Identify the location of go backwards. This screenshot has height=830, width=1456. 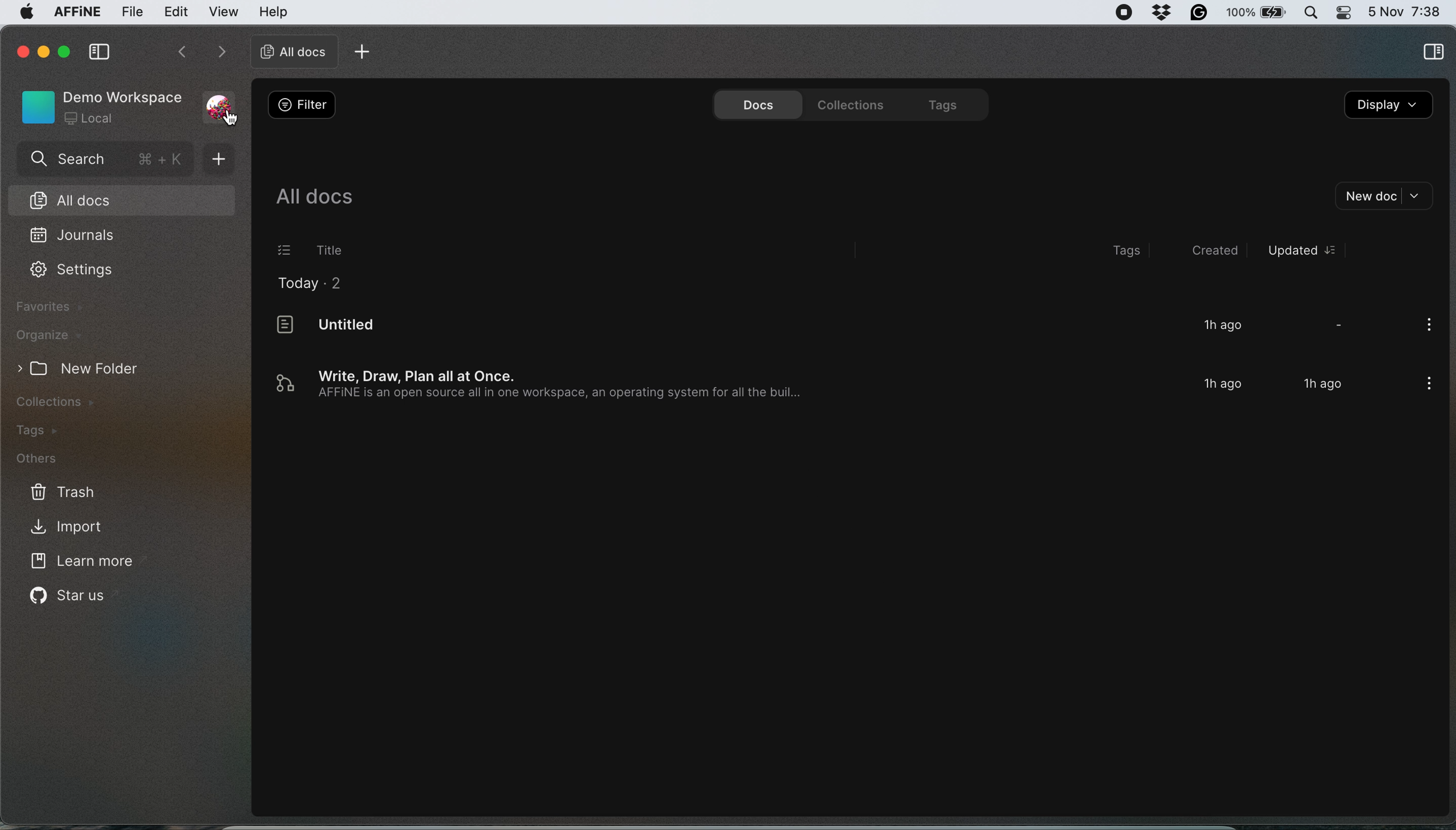
(181, 54).